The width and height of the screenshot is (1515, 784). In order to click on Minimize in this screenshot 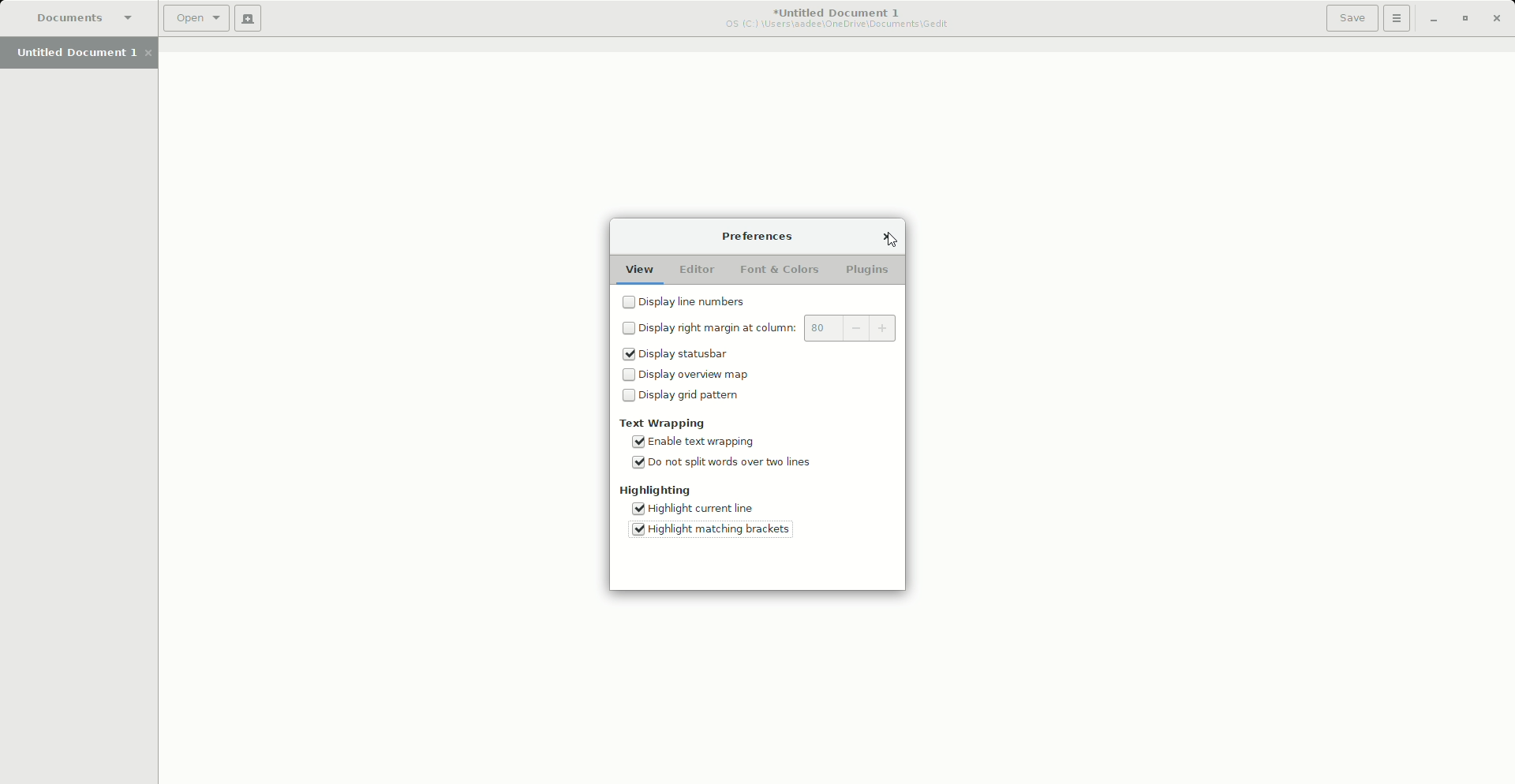, I will do `click(1427, 19)`.